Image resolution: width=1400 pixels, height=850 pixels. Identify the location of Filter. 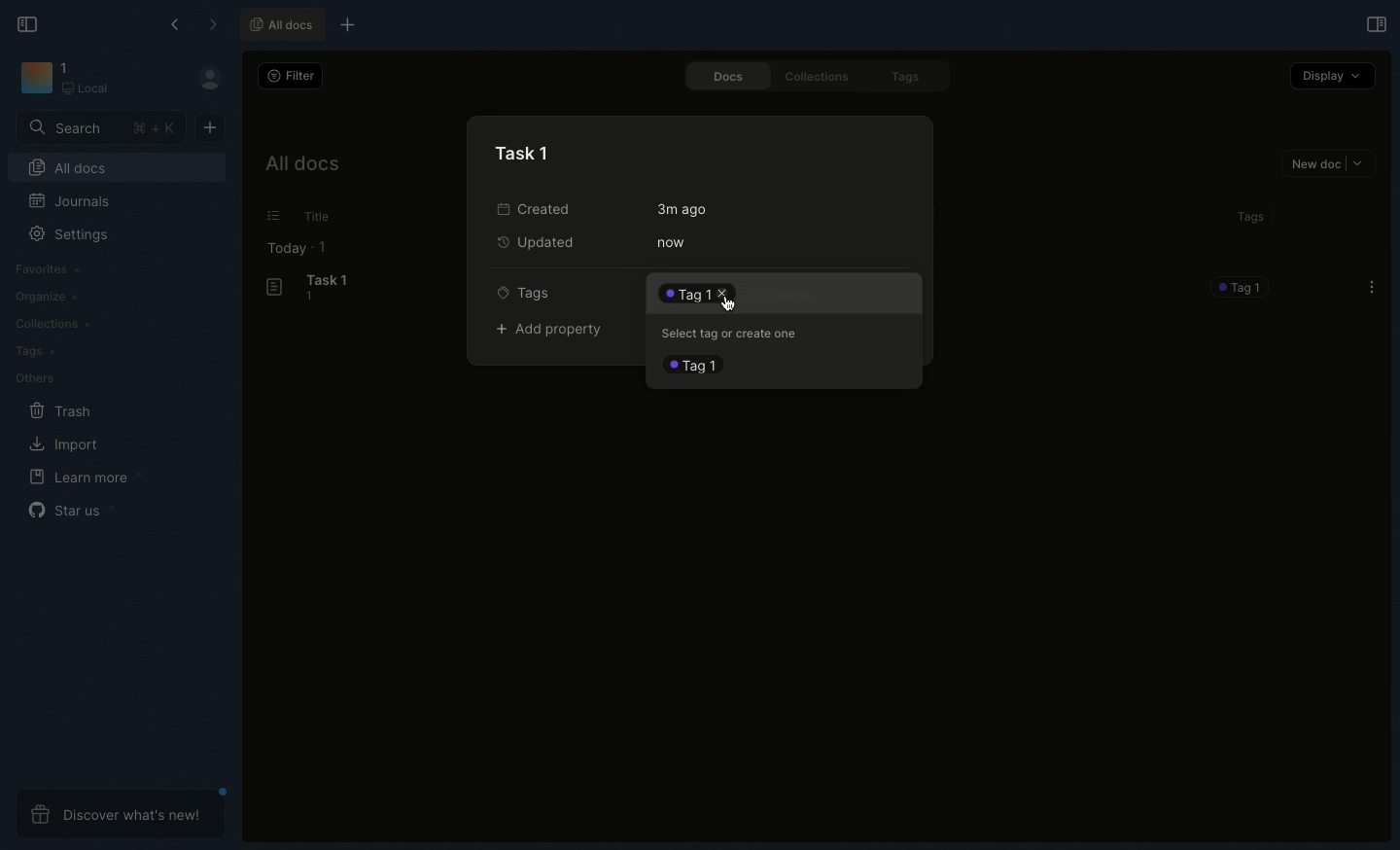
(292, 76).